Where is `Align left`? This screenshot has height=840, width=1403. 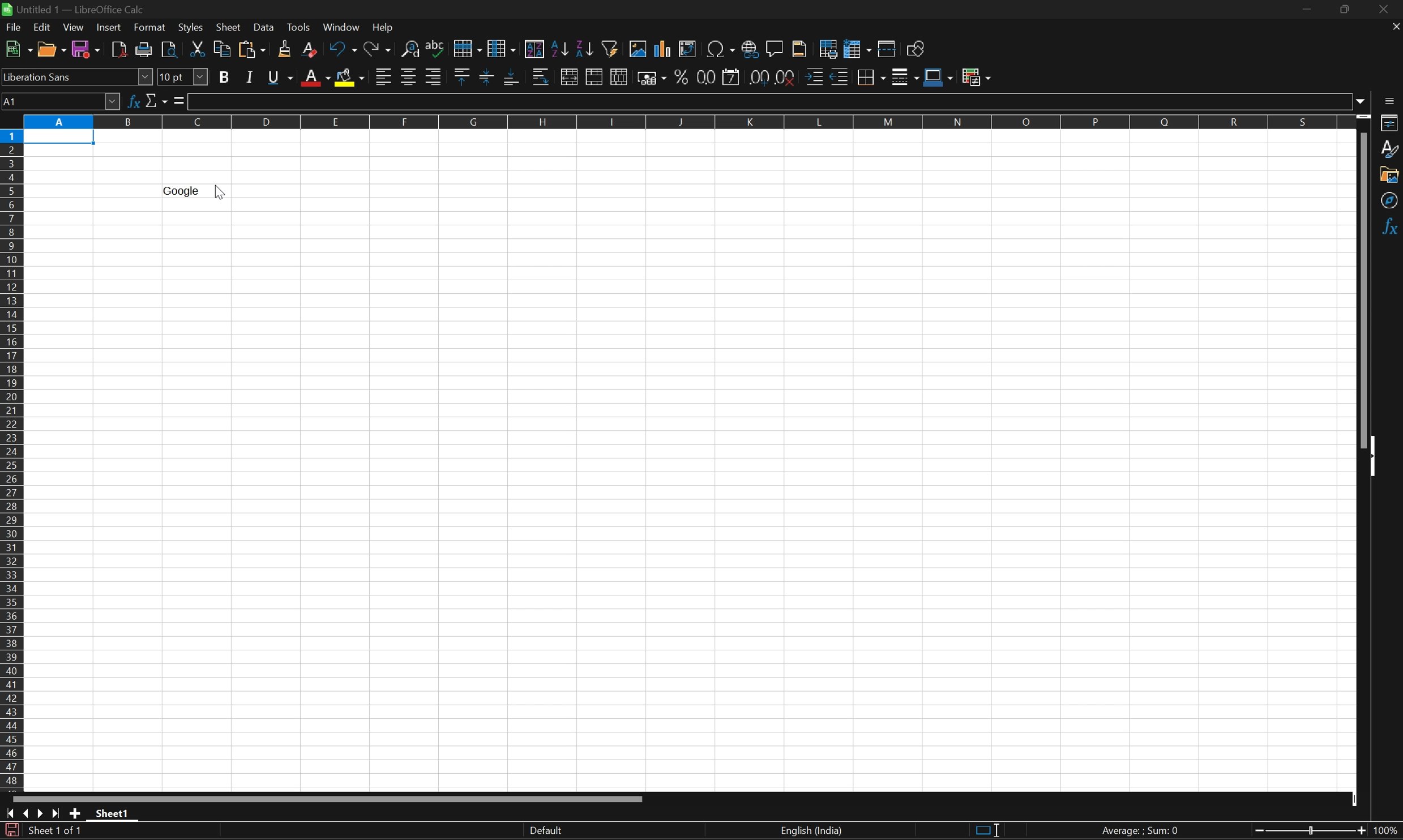 Align left is located at coordinates (383, 78).